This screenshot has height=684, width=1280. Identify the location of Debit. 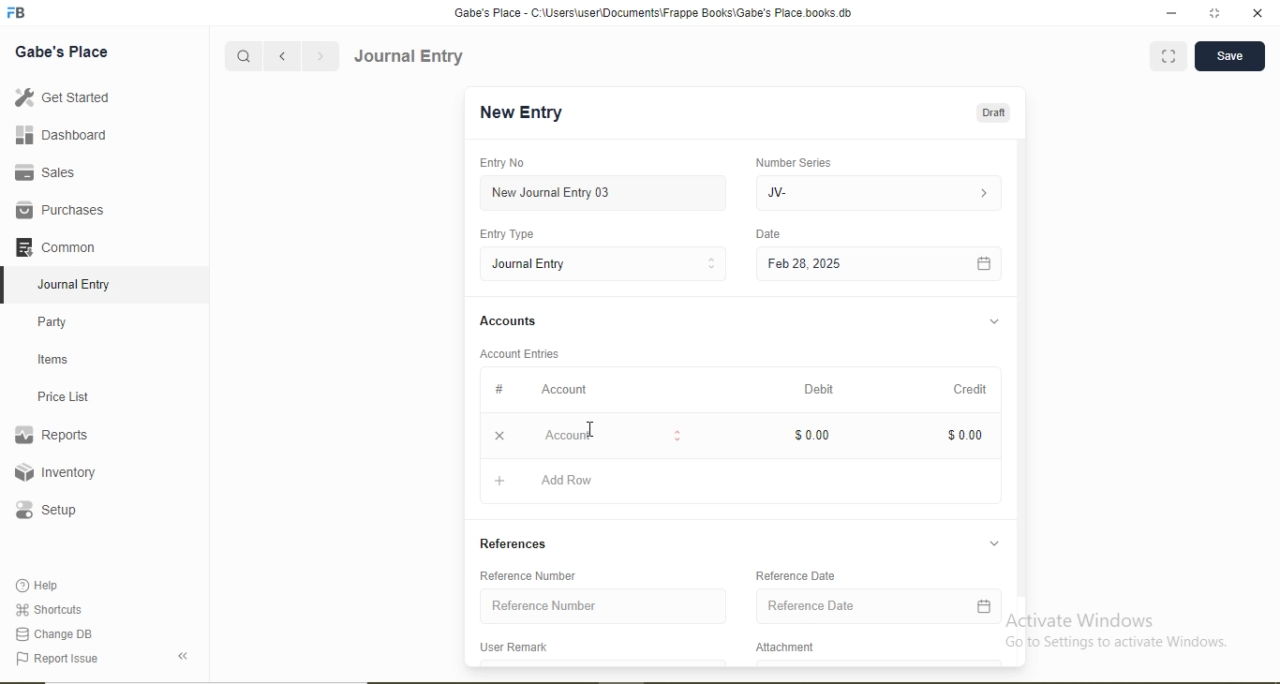
(819, 389).